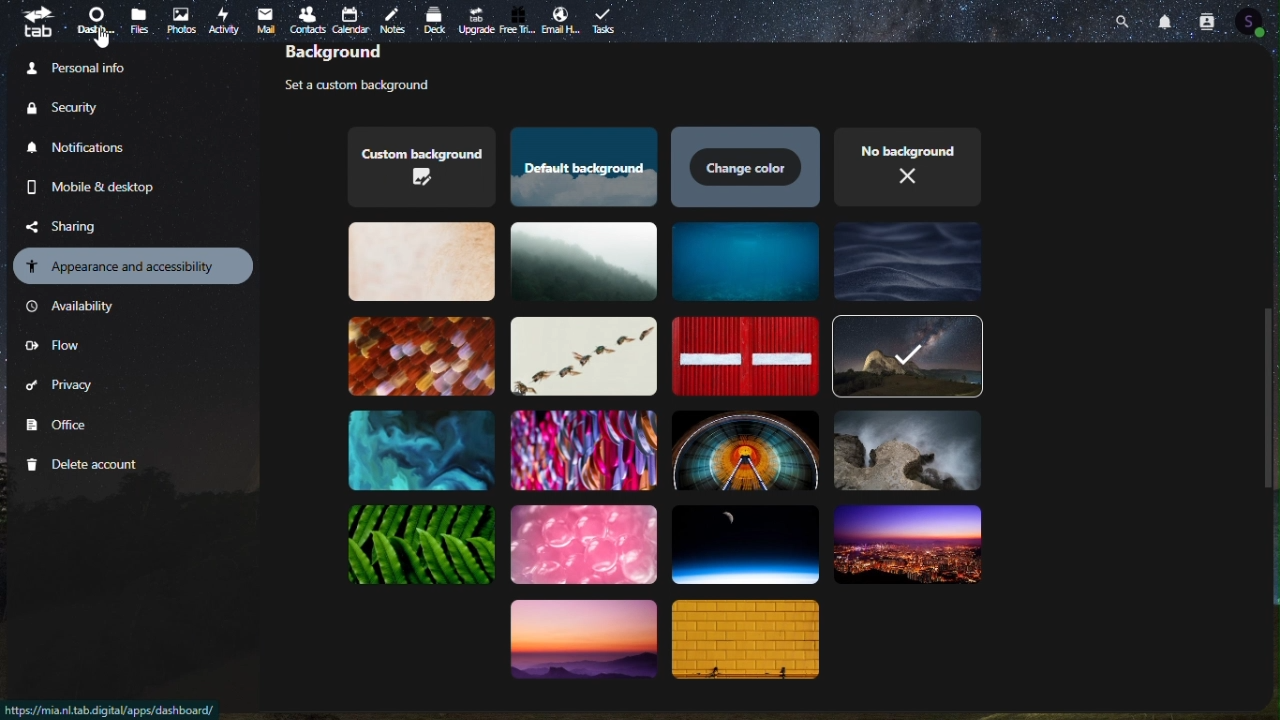  I want to click on No background theme, so click(910, 164).